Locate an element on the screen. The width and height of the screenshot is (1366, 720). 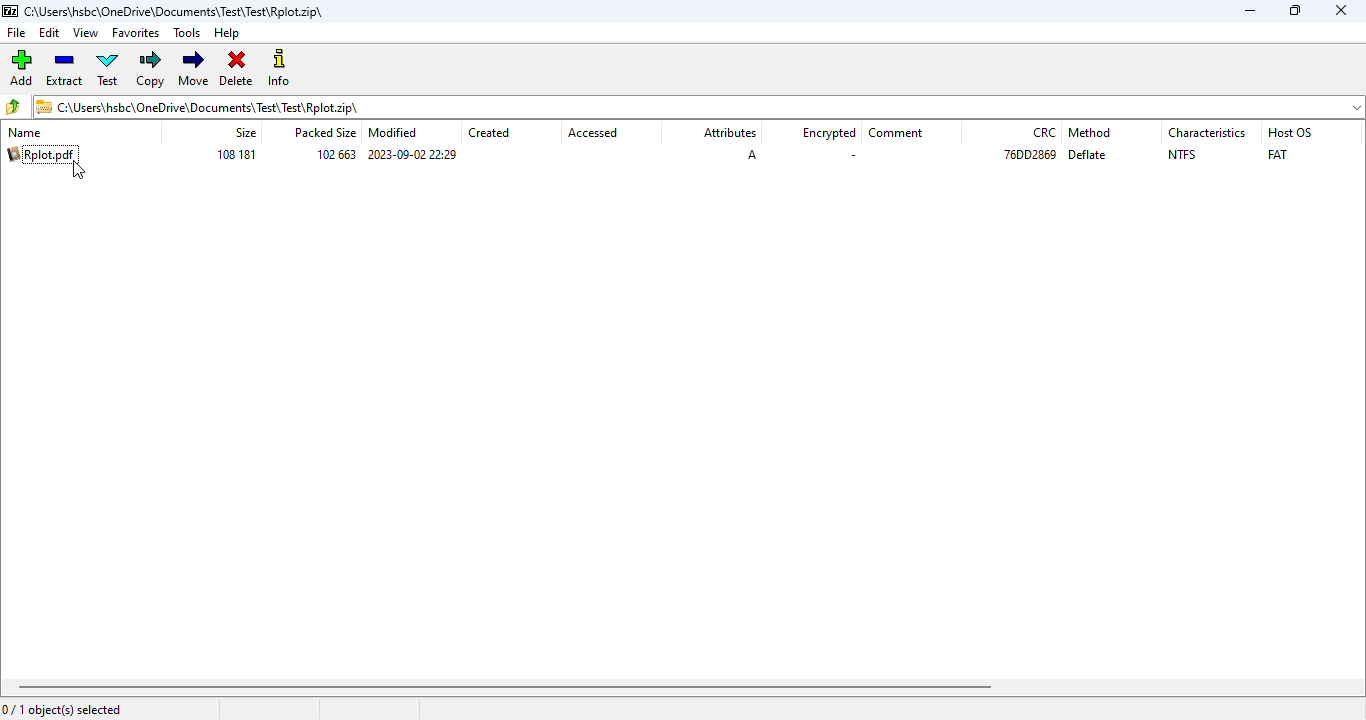
copy is located at coordinates (151, 69).